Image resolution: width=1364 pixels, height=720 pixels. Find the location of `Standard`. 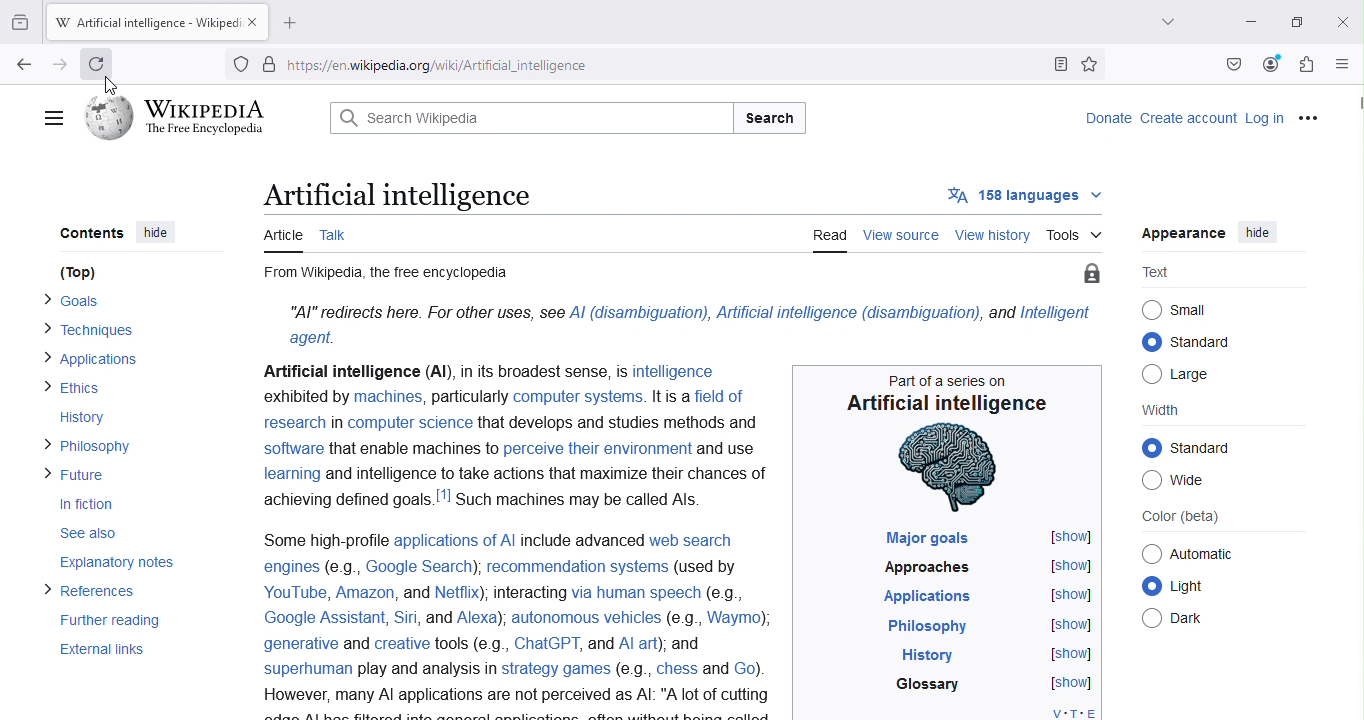

Standard is located at coordinates (1192, 345).